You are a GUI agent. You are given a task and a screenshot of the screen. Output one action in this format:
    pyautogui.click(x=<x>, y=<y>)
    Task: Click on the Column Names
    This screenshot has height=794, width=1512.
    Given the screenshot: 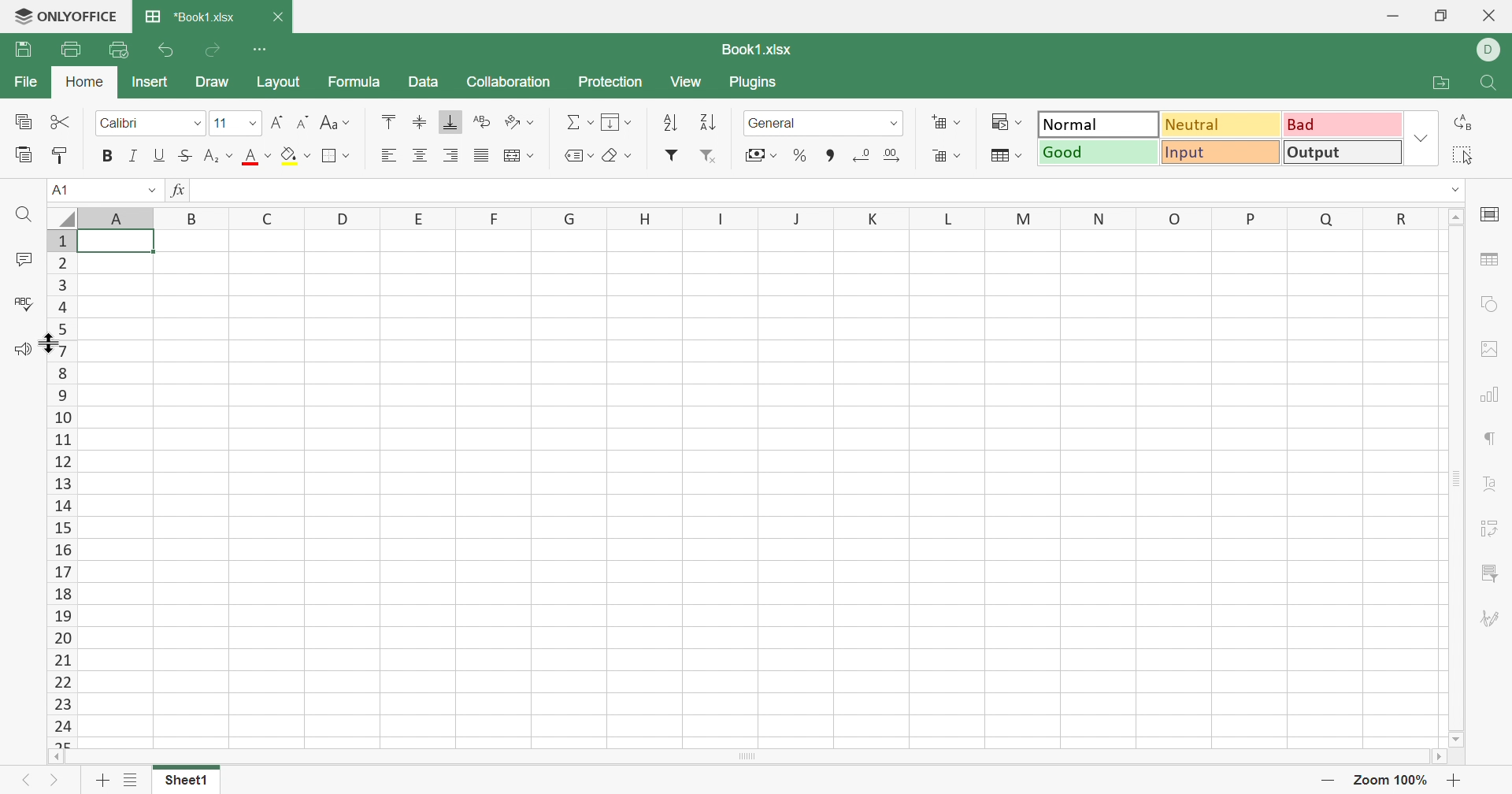 What is the action you would take?
    pyautogui.click(x=744, y=217)
    